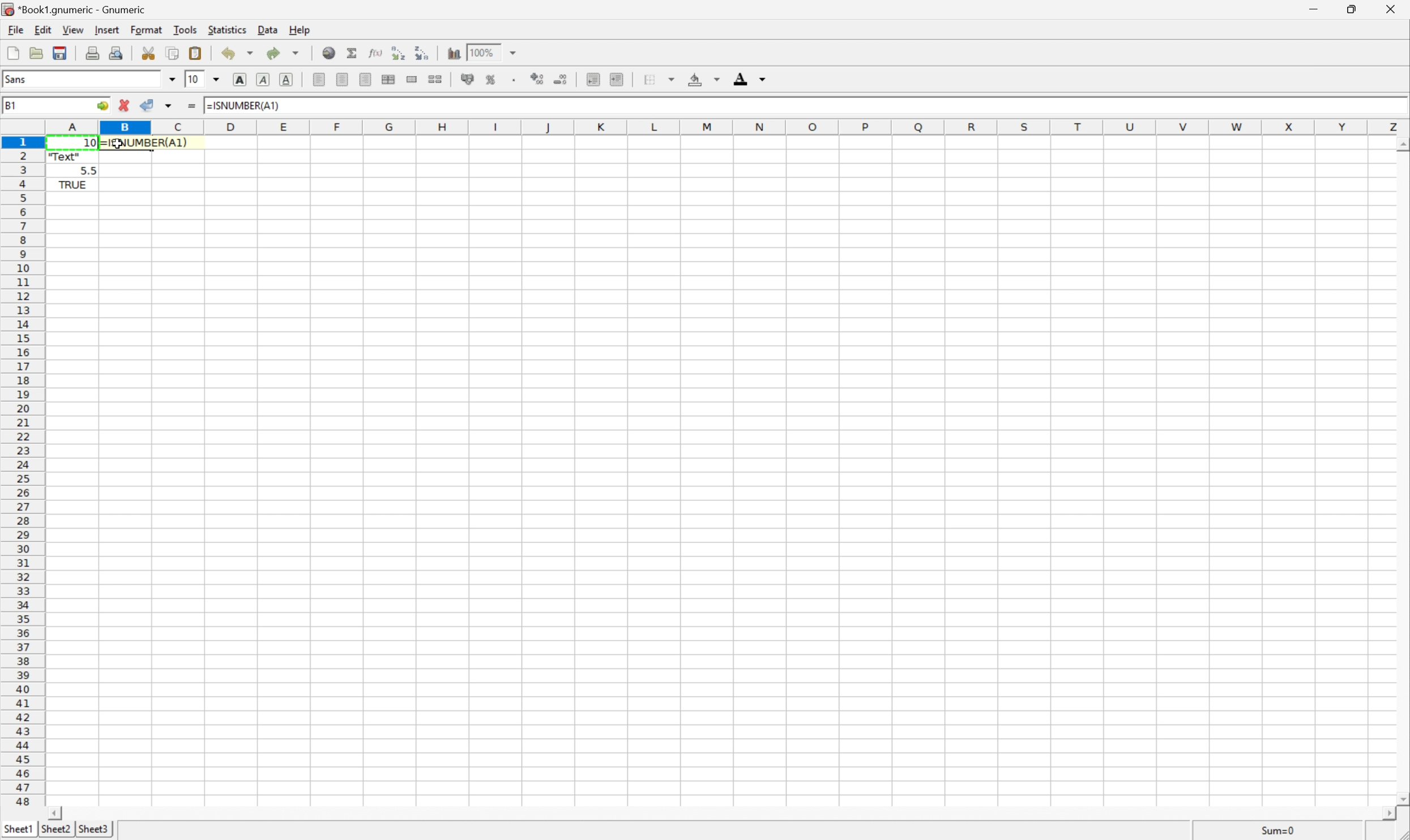 The image size is (1410, 840). Describe the element at coordinates (422, 52) in the screenshot. I see `Sort the selected region in descending order based on the first column selected` at that location.